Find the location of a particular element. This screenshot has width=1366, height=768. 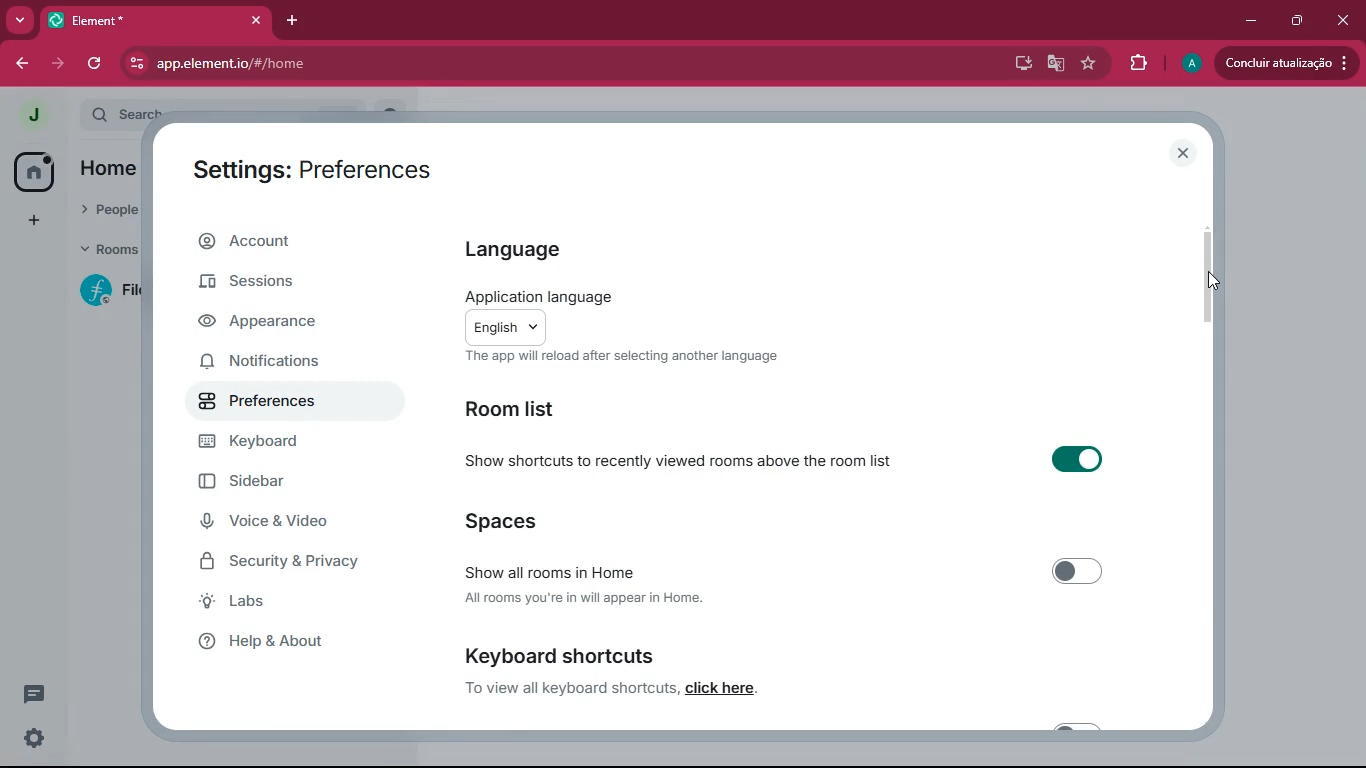

help is located at coordinates (289, 647).